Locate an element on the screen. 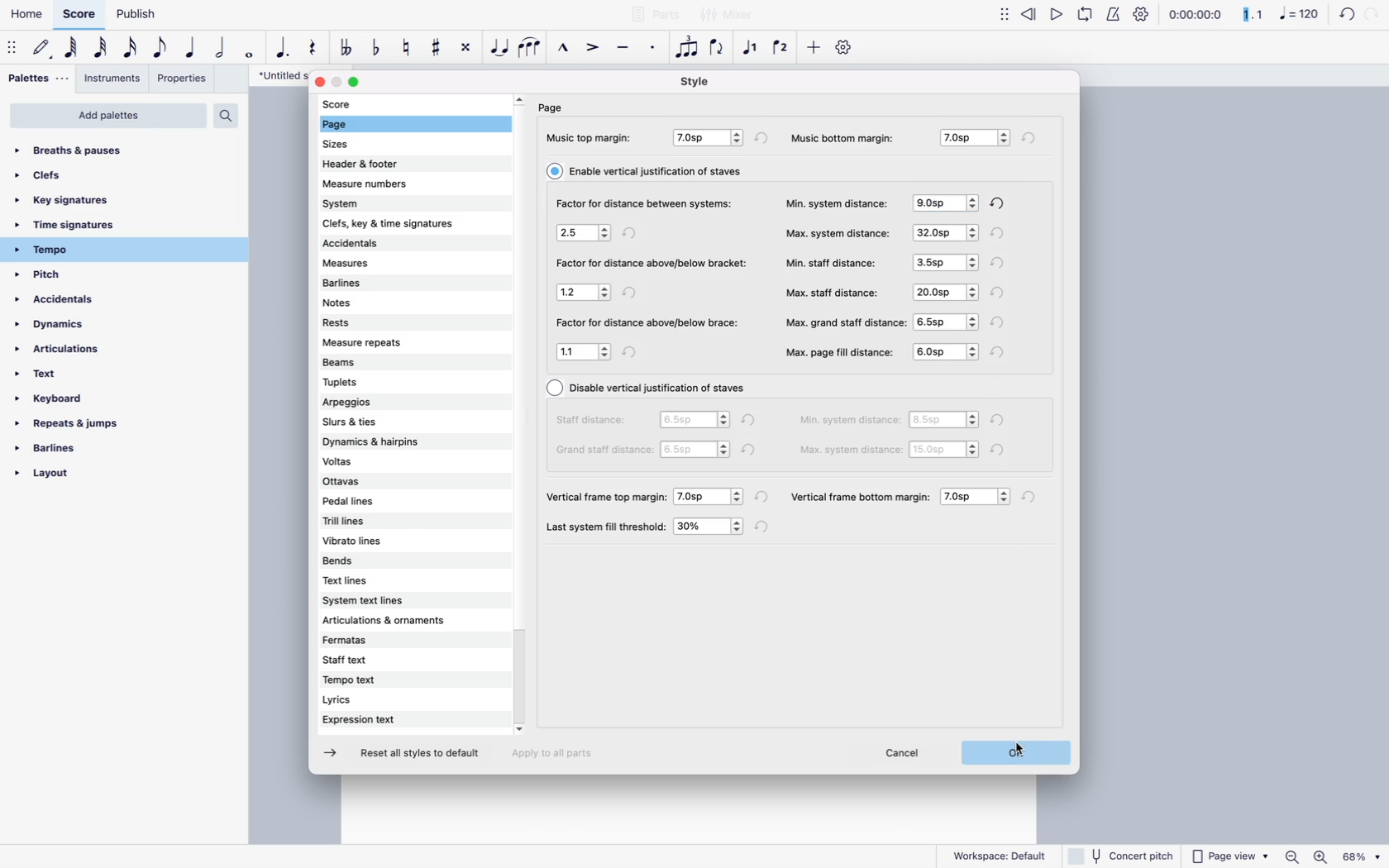 This screenshot has width=1389, height=868. add palettes is located at coordinates (108, 116).